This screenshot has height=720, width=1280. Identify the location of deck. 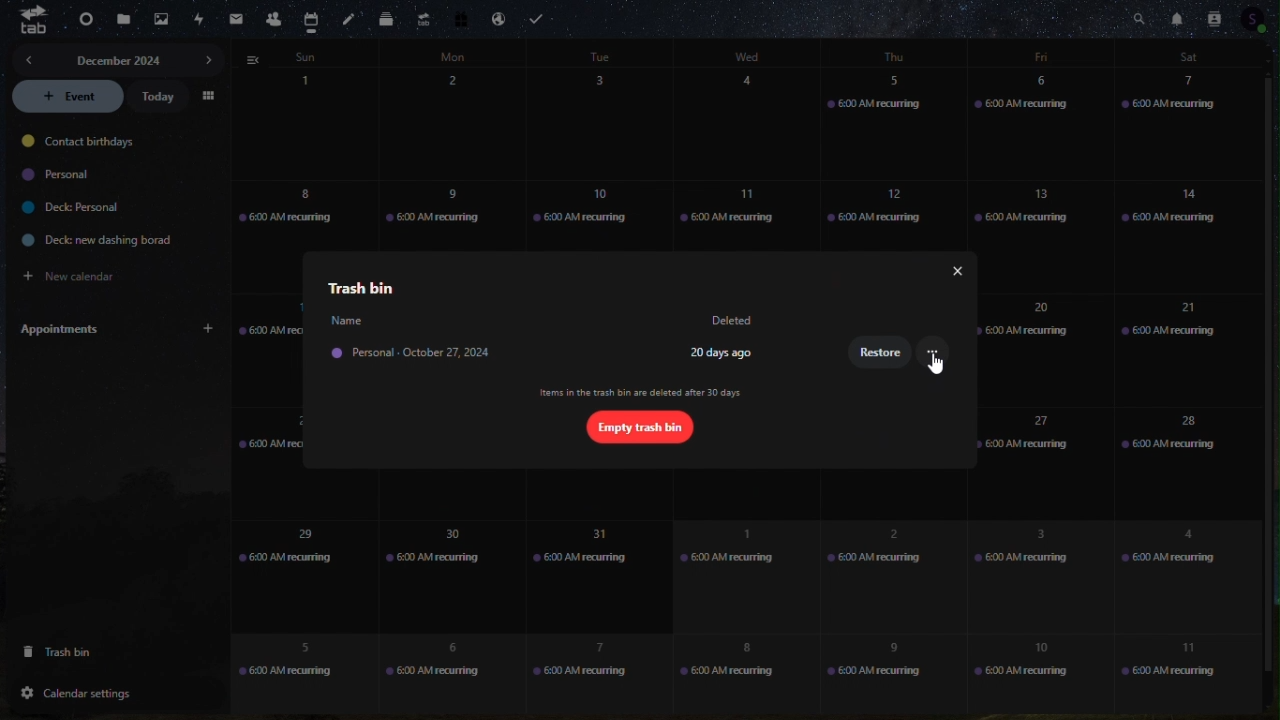
(385, 19).